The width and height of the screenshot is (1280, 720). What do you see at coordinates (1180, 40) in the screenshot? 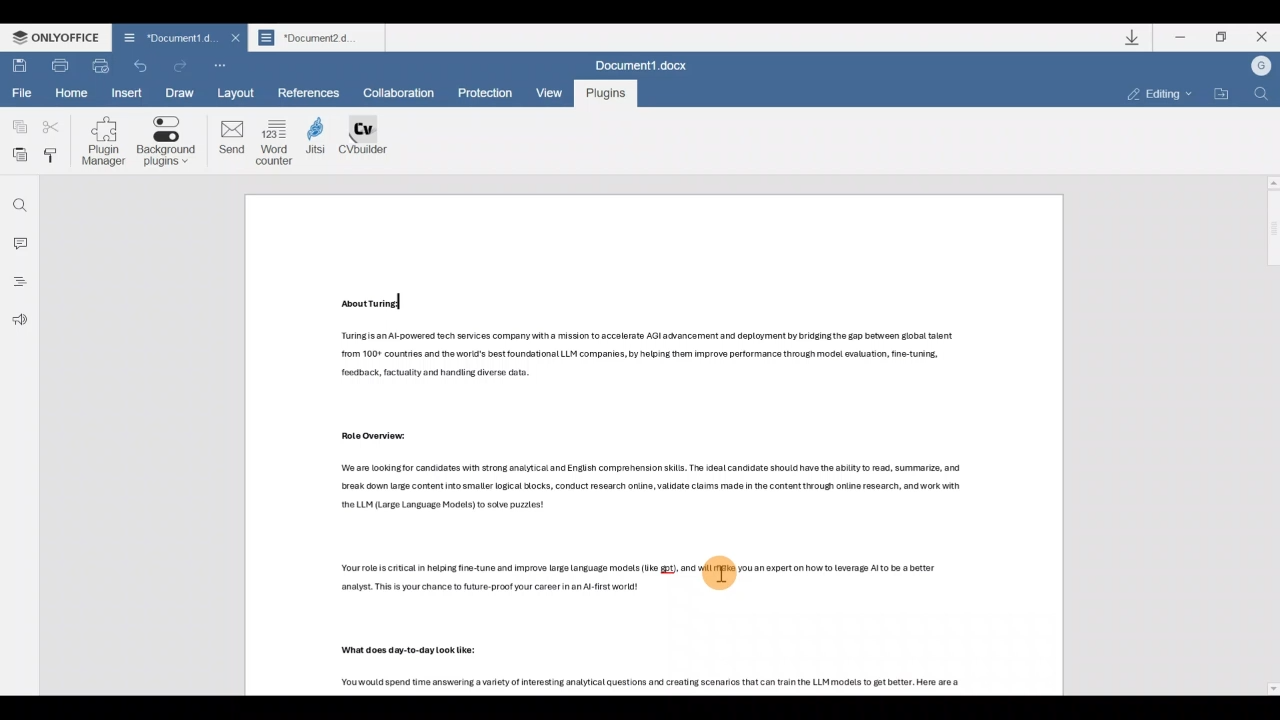
I see `Minimize` at bounding box center [1180, 40].